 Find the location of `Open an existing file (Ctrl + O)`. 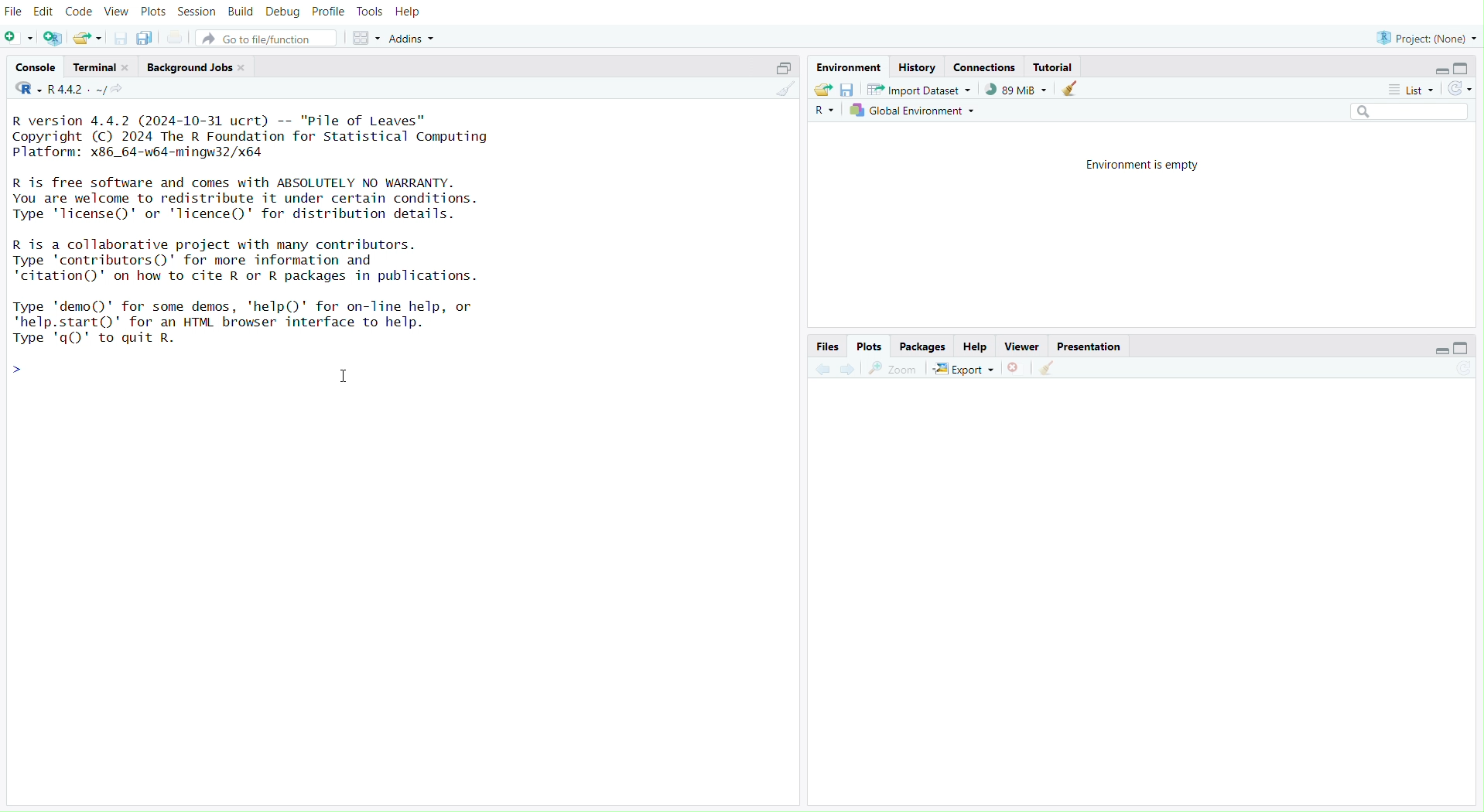

Open an existing file (Ctrl + O) is located at coordinates (88, 37).